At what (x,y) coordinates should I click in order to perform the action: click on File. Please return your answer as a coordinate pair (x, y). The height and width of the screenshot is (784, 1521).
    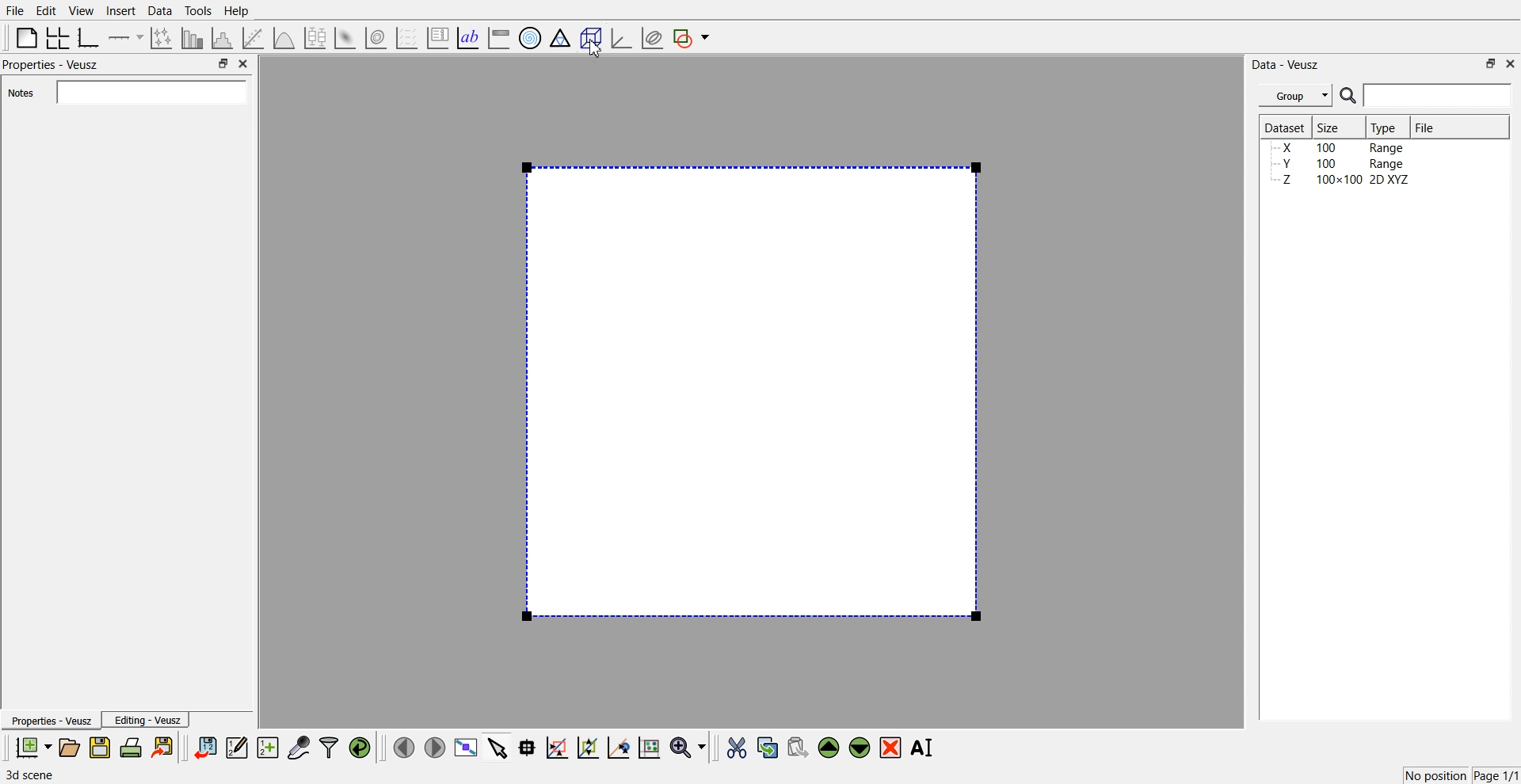
    Looking at the image, I should click on (15, 10).